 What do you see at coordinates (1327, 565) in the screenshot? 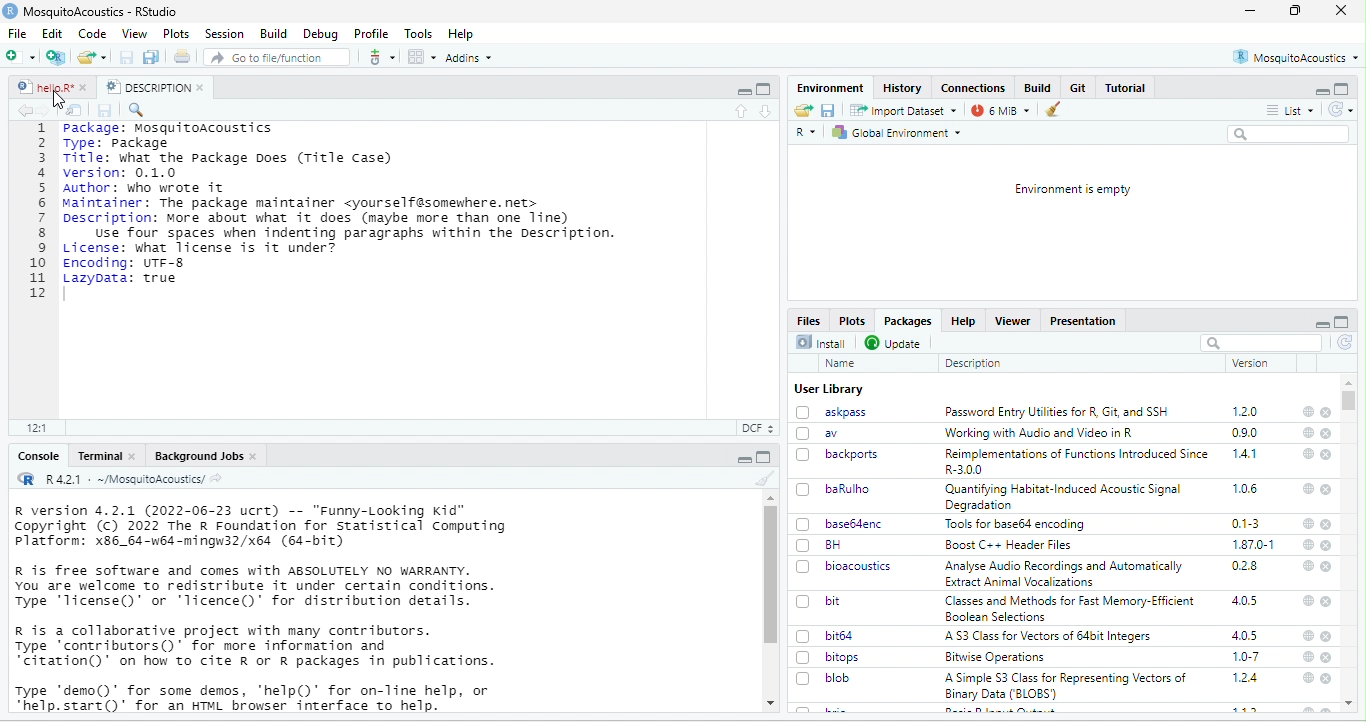
I see `close` at bounding box center [1327, 565].